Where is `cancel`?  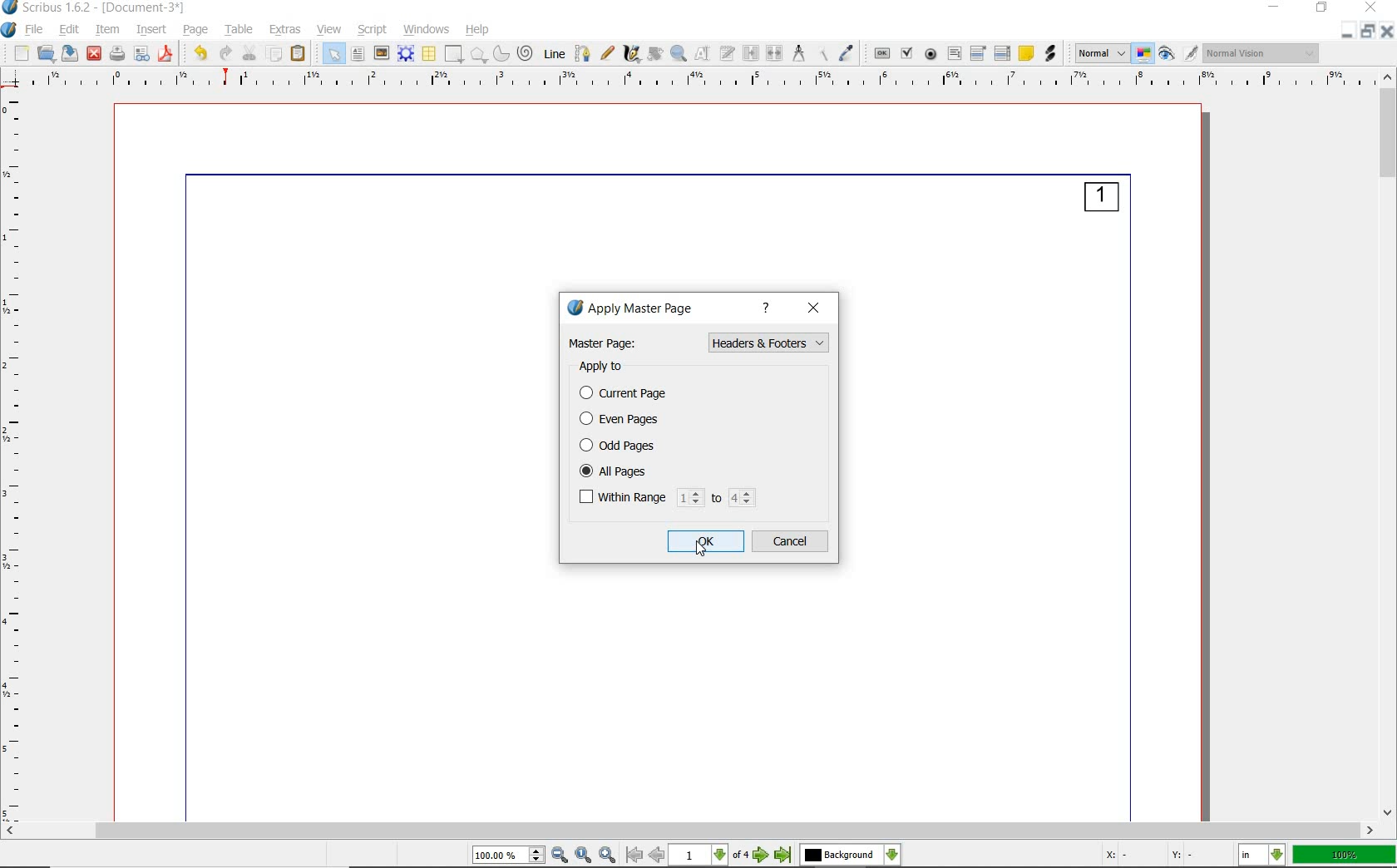
cancel is located at coordinates (792, 542).